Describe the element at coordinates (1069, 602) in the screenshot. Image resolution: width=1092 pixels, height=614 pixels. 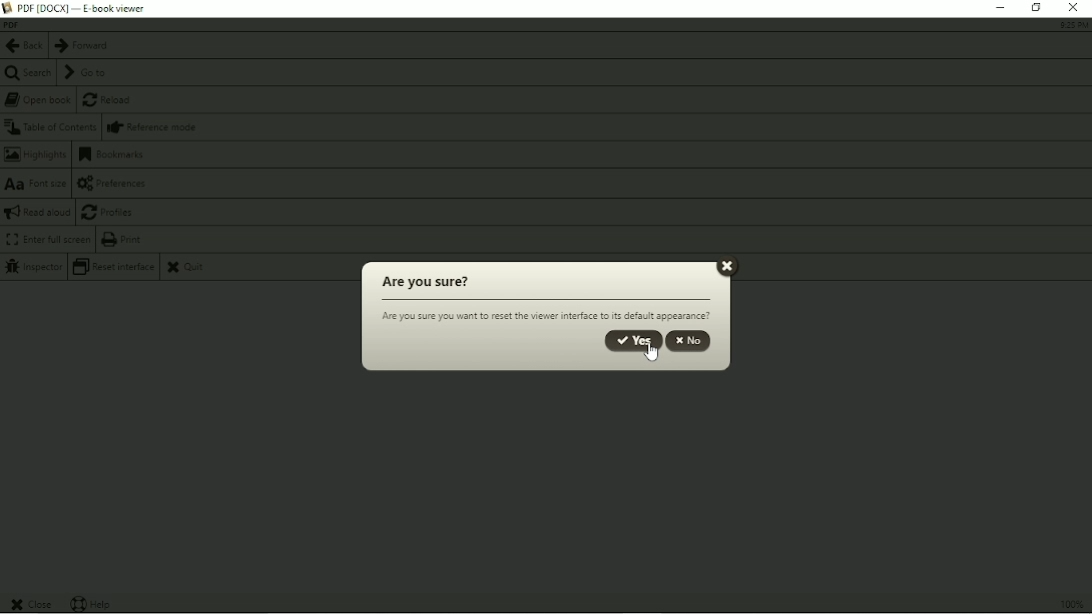
I see `100%` at that location.